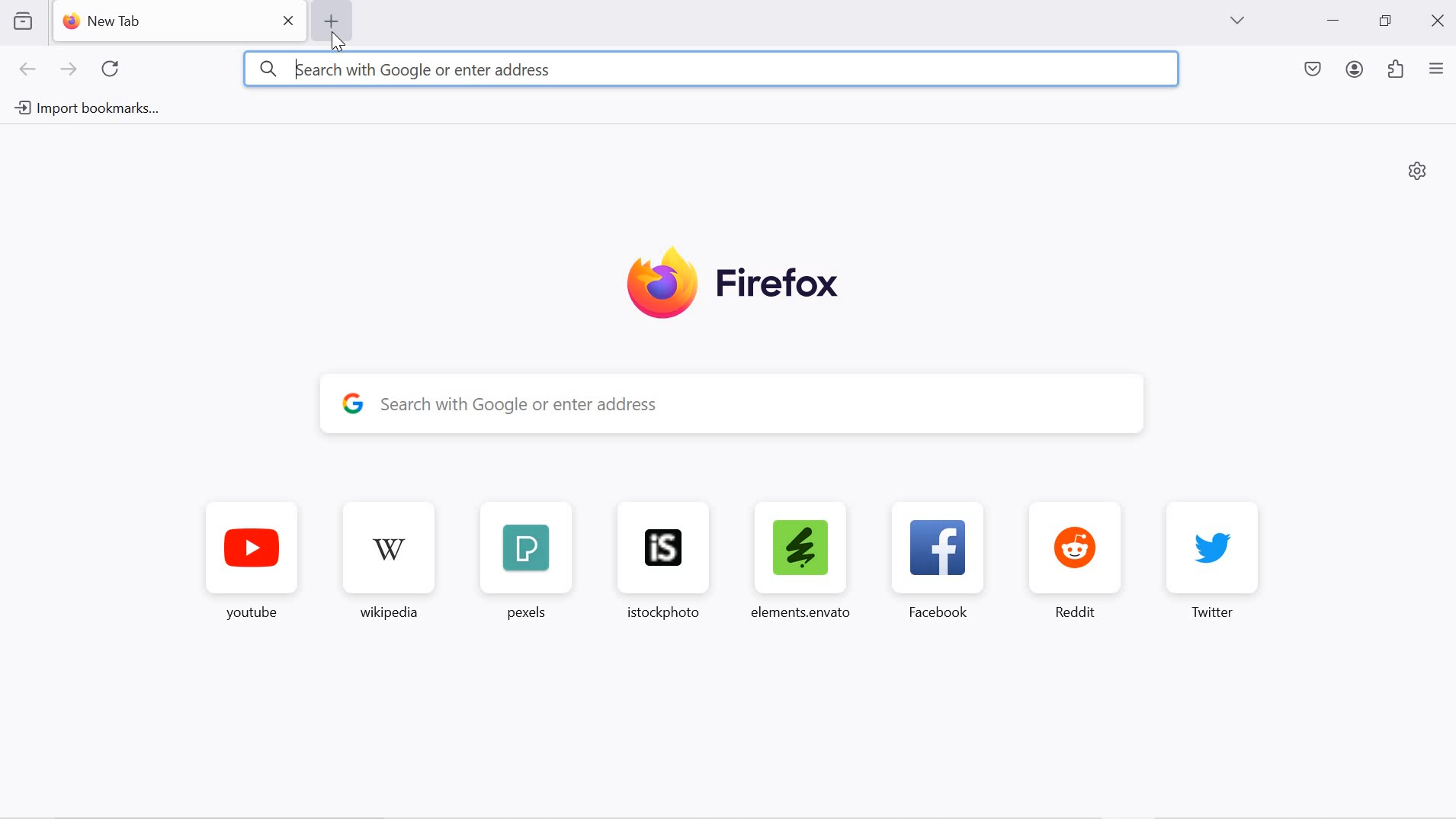 The height and width of the screenshot is (819, 1456). What do you see at coordinates (1418, 170) in the screenshot?
I see `personalize new tab` at bounding box center [1418, 170].